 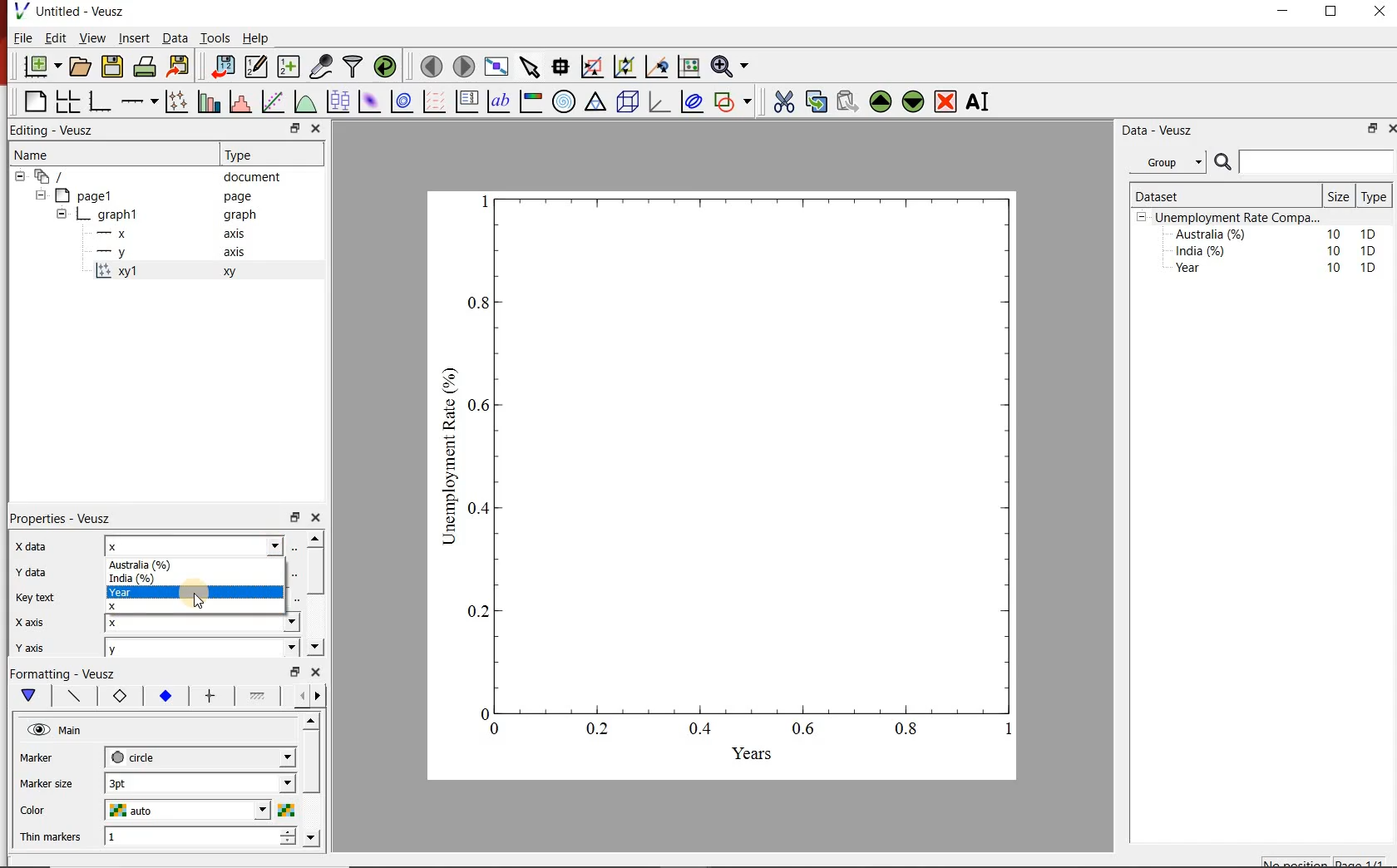 I want to click on move to previous page, so click(x=432, y=65).